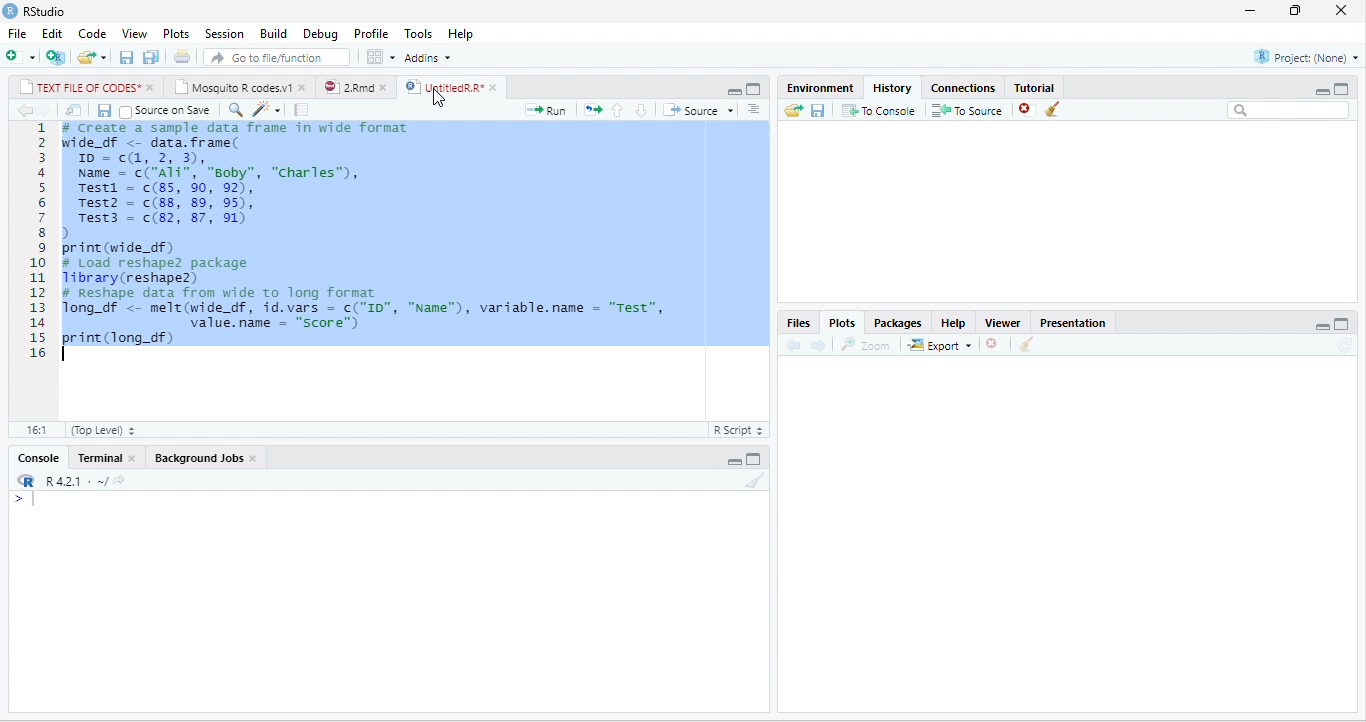 This screenshot has height=722, width=1366. I want to click on minimize, so click(1323, 91).